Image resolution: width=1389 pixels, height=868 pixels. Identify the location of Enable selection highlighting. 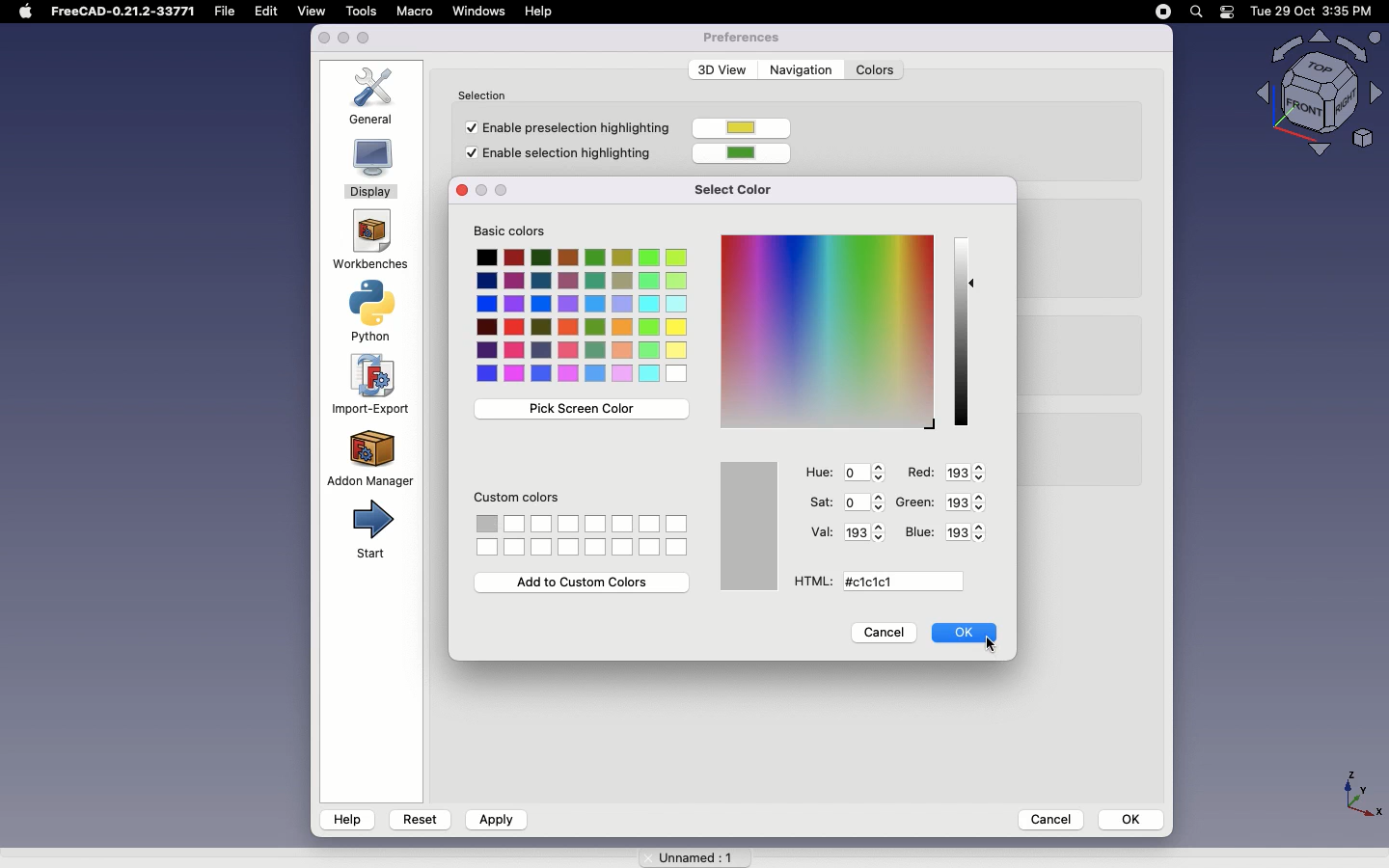
(561, 155).